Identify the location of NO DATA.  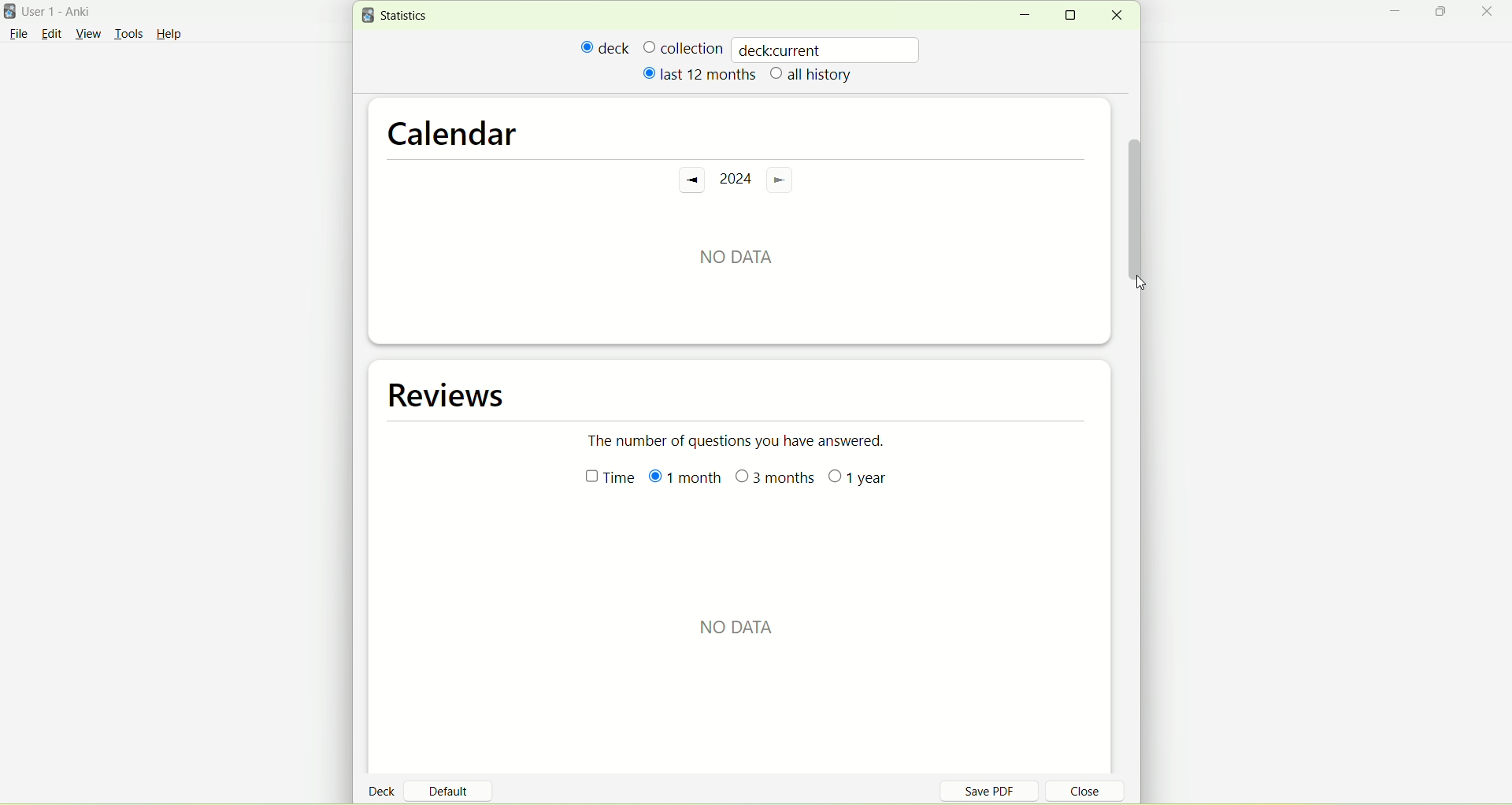
(739, 628).